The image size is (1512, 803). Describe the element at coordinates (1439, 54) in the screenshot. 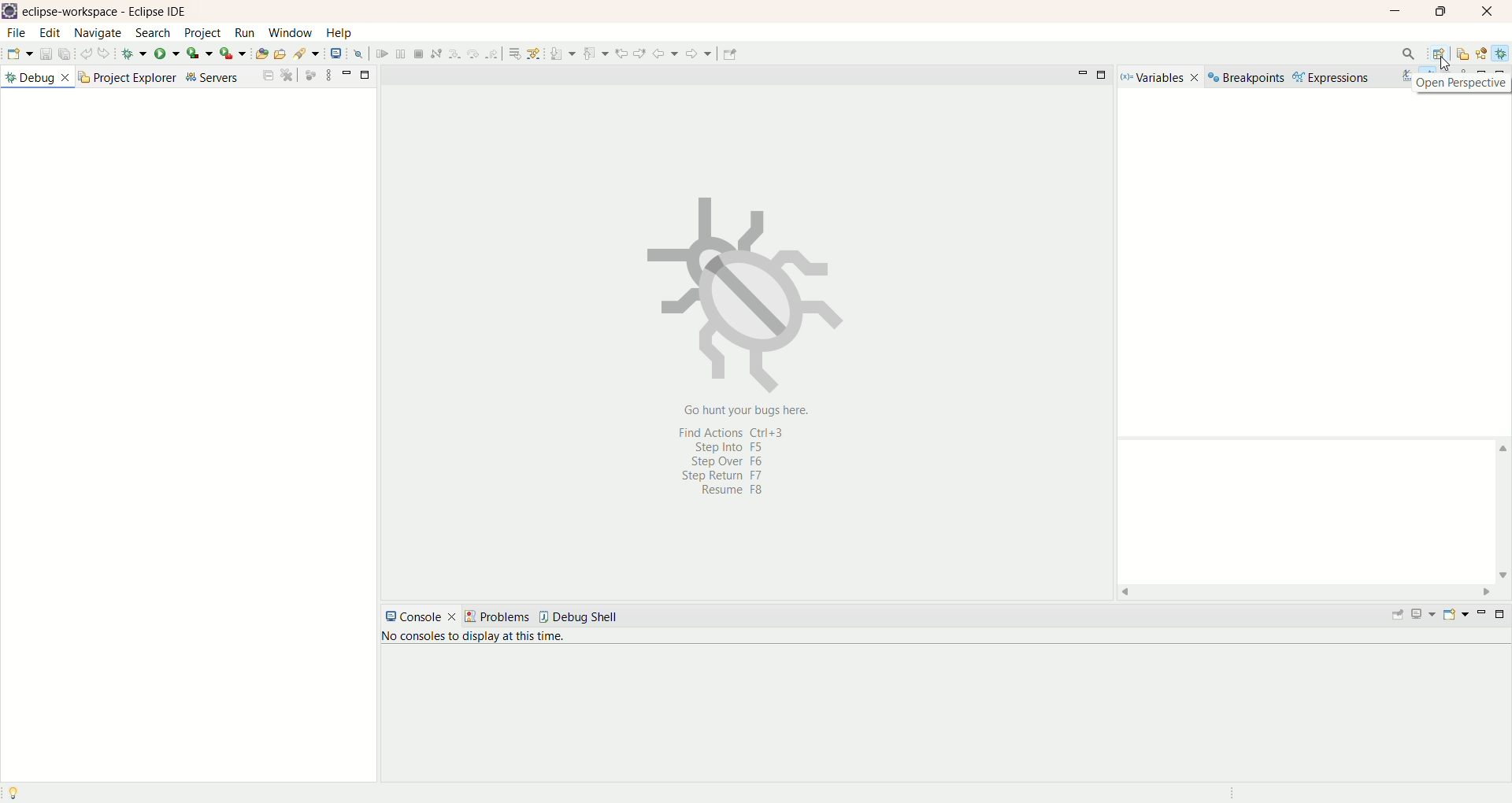

I see `open perspective` at that location.